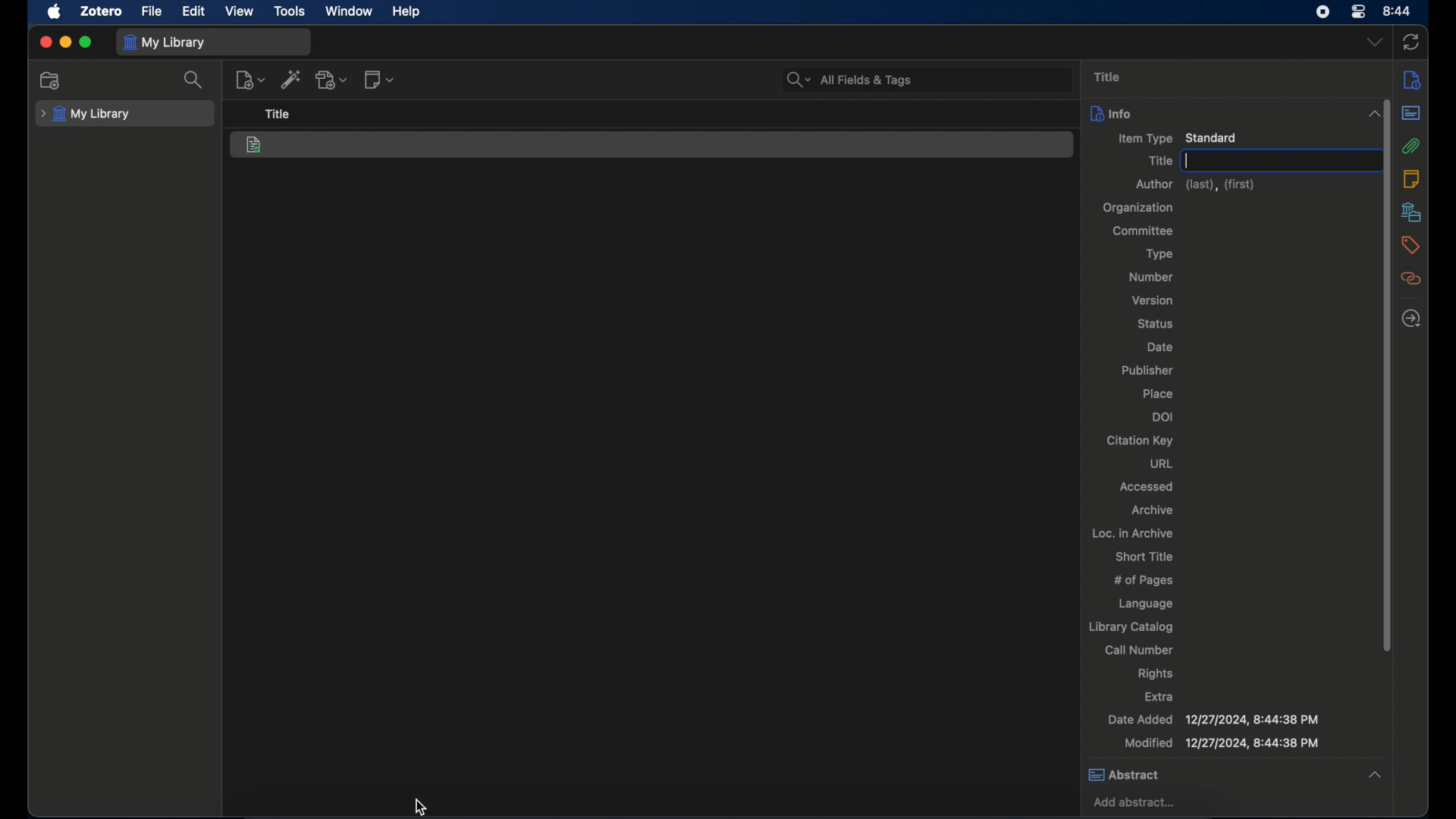 The height and width of the screenshot is (819, 1456). Describe the element at coordinates (1146, 581) in the screenshot. I see `no of pages` at that location.